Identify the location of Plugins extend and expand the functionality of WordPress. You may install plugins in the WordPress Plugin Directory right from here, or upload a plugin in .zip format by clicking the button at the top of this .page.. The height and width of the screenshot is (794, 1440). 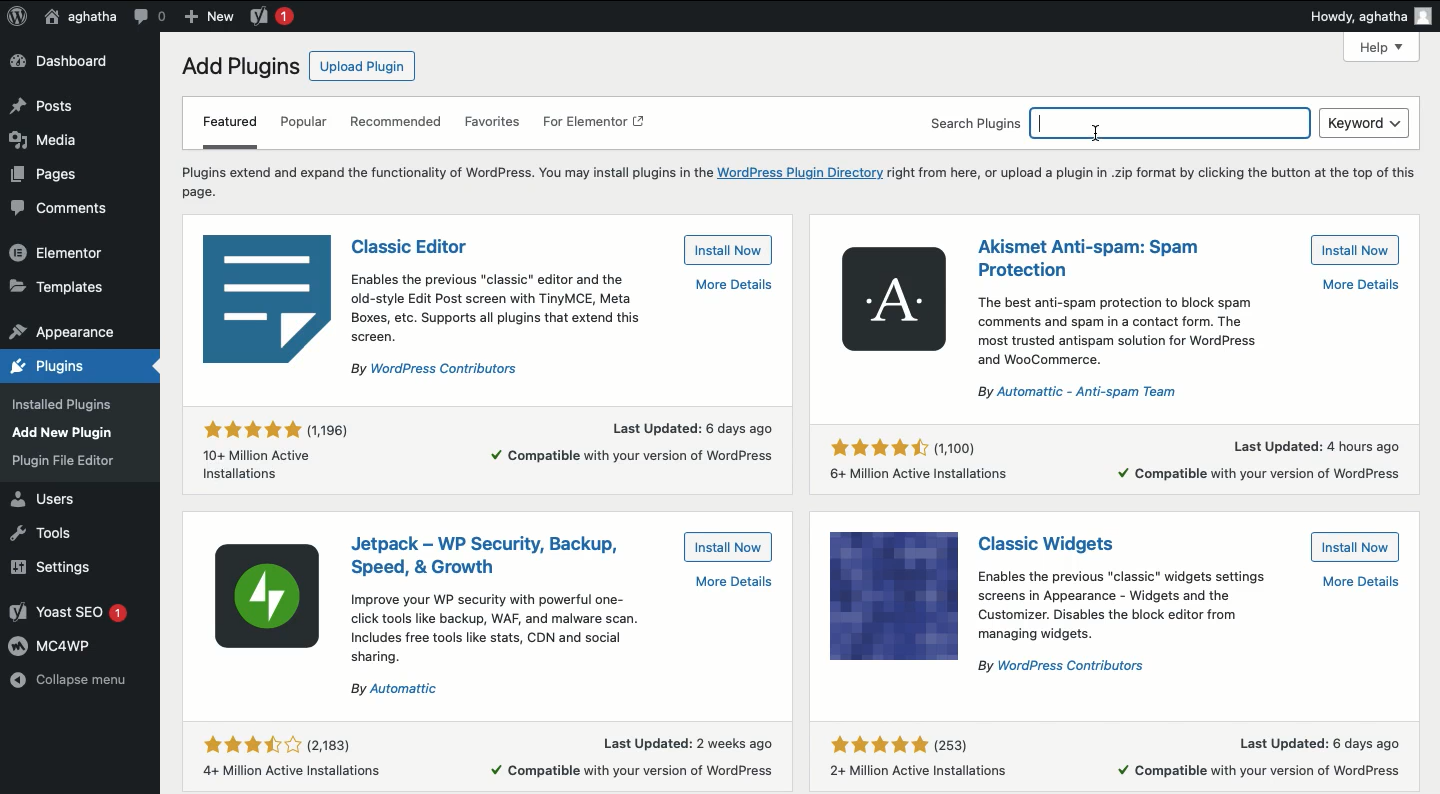
(798, 180).